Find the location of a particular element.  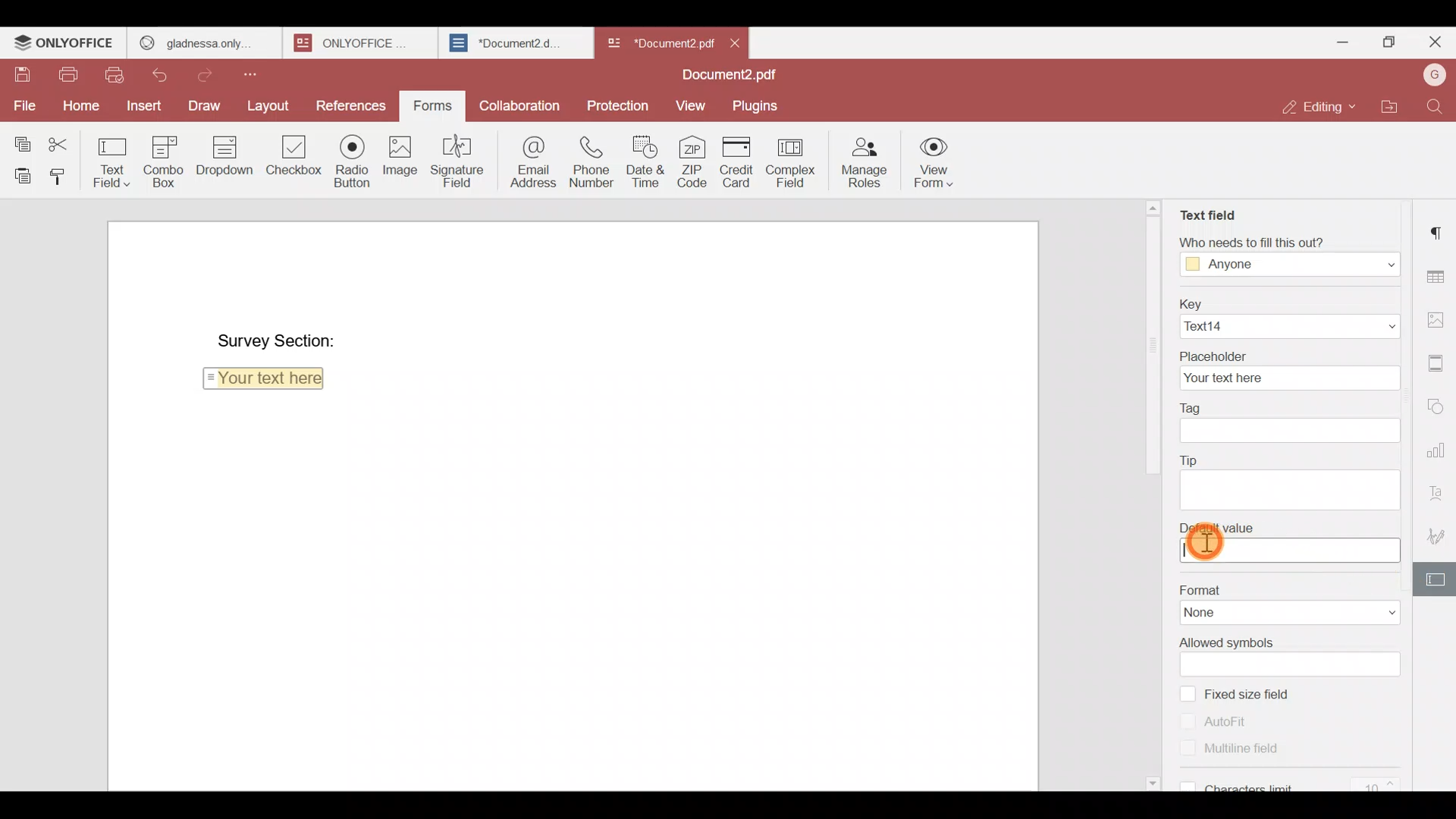

None is located at coordinates (1291, 613).